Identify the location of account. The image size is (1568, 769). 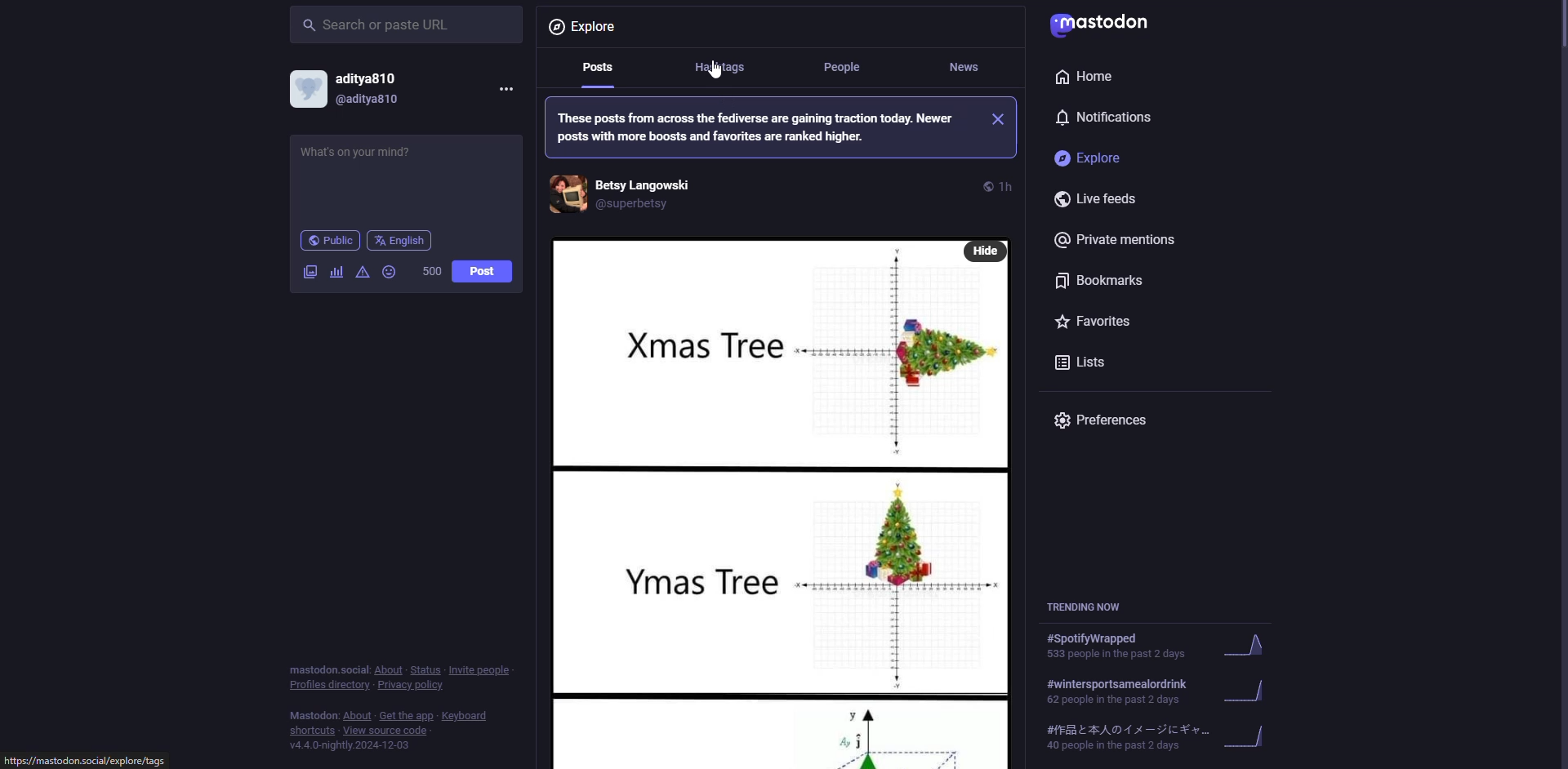
(629, 192).